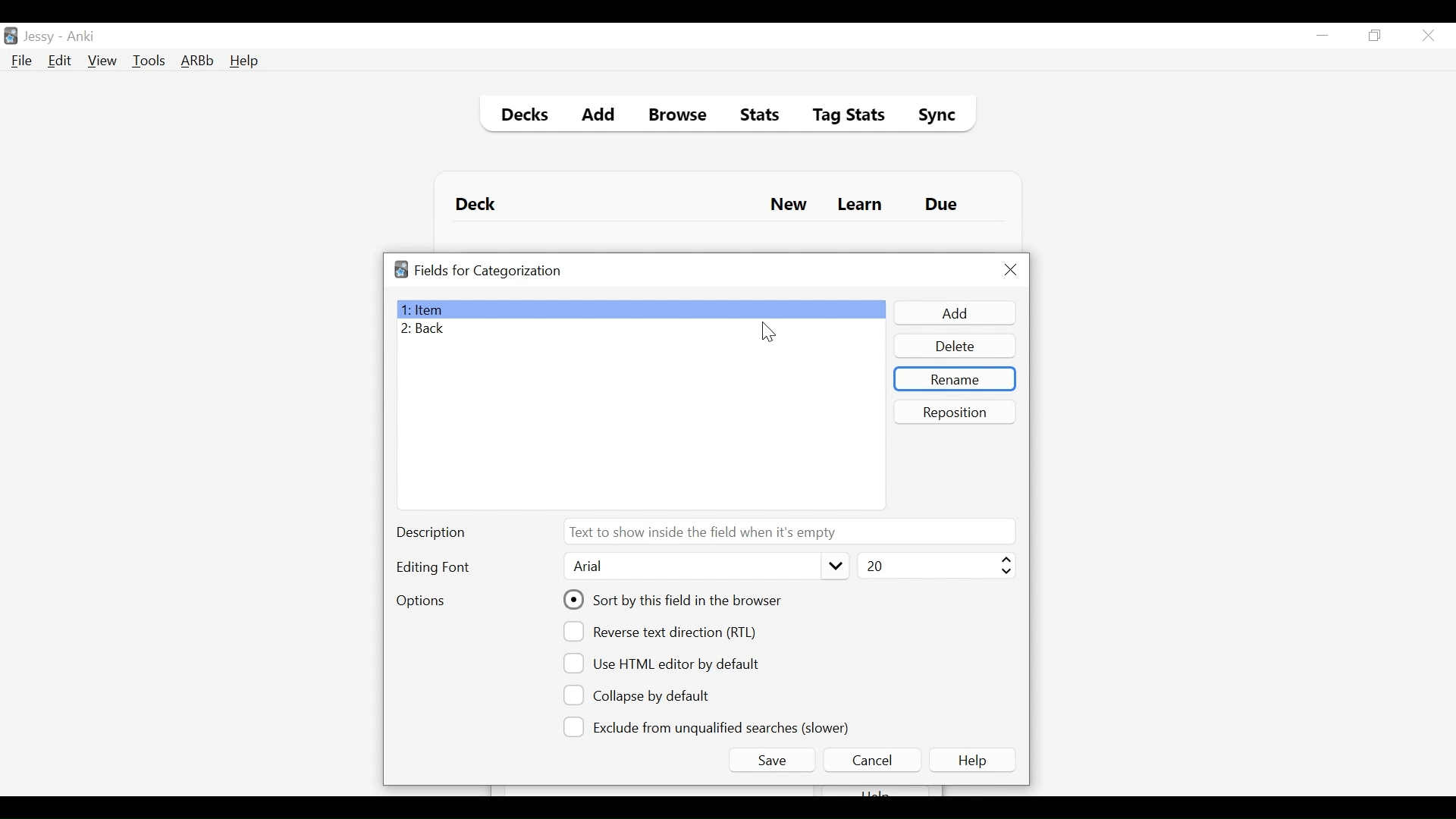 This screenshot has width=1456, height=819. What do you see at coordinates (931, 117) in the screenshot?
I see `Sybc` at bounding box center [931, 117].